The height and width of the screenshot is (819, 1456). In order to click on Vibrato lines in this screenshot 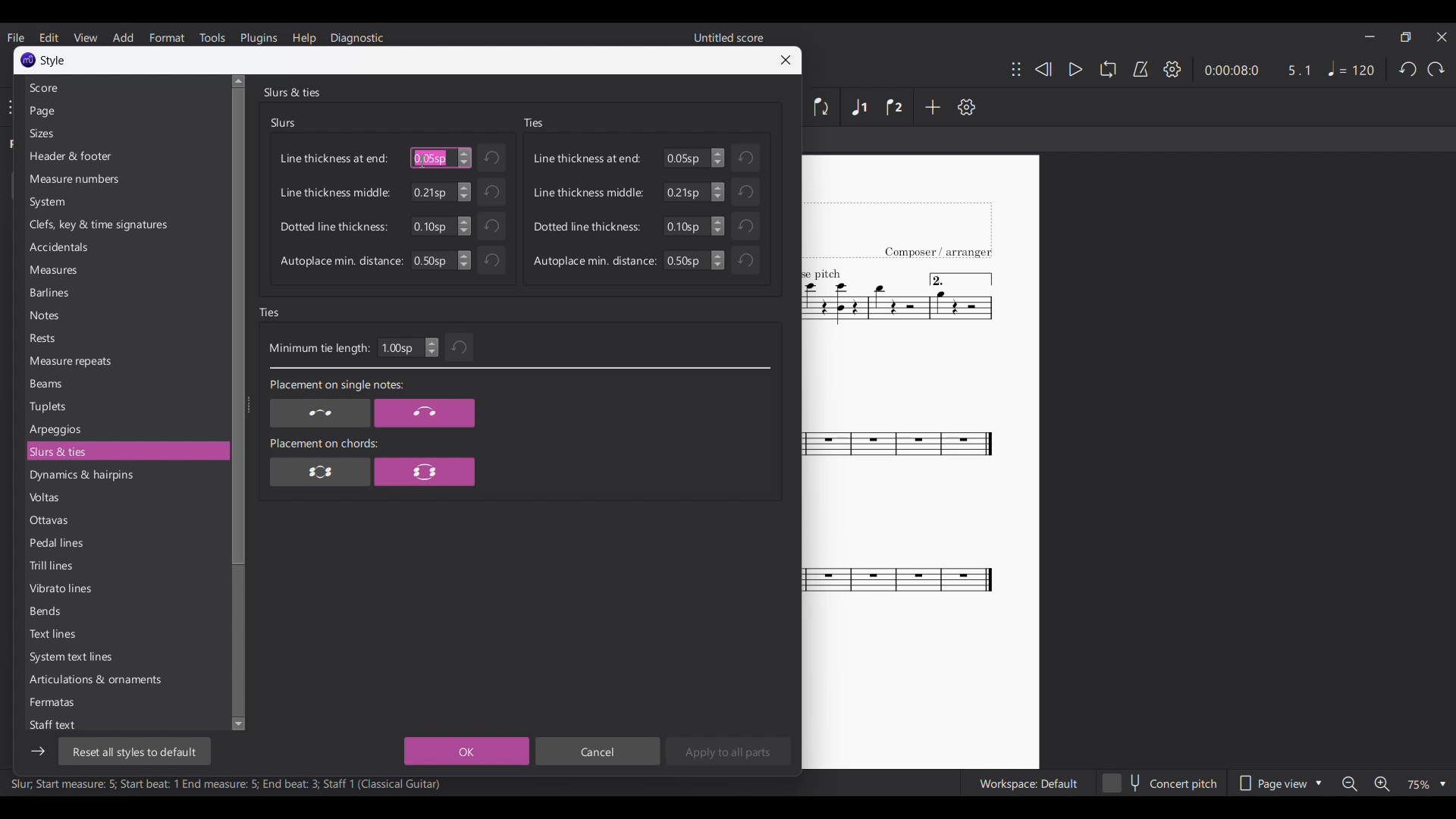, I will do `click(125, 588)`.